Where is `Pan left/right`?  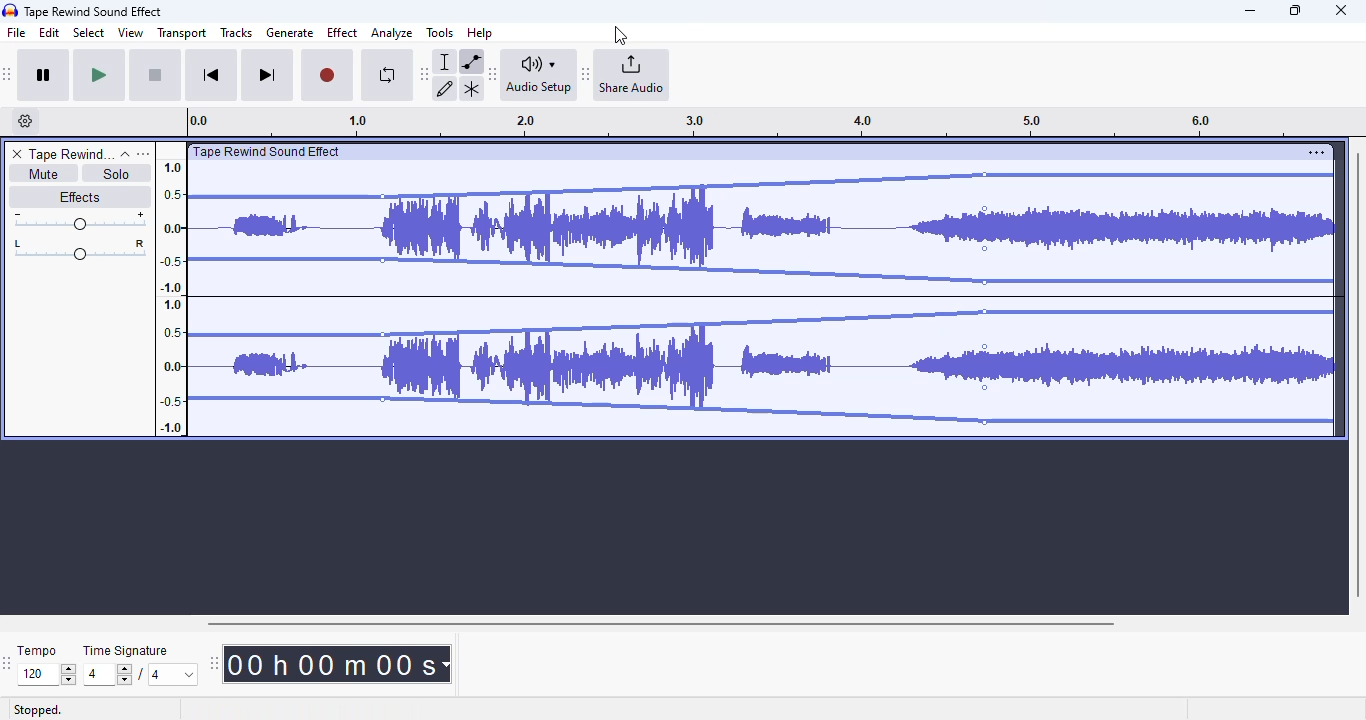
Pan left/right is located at coordinates (80, 250).